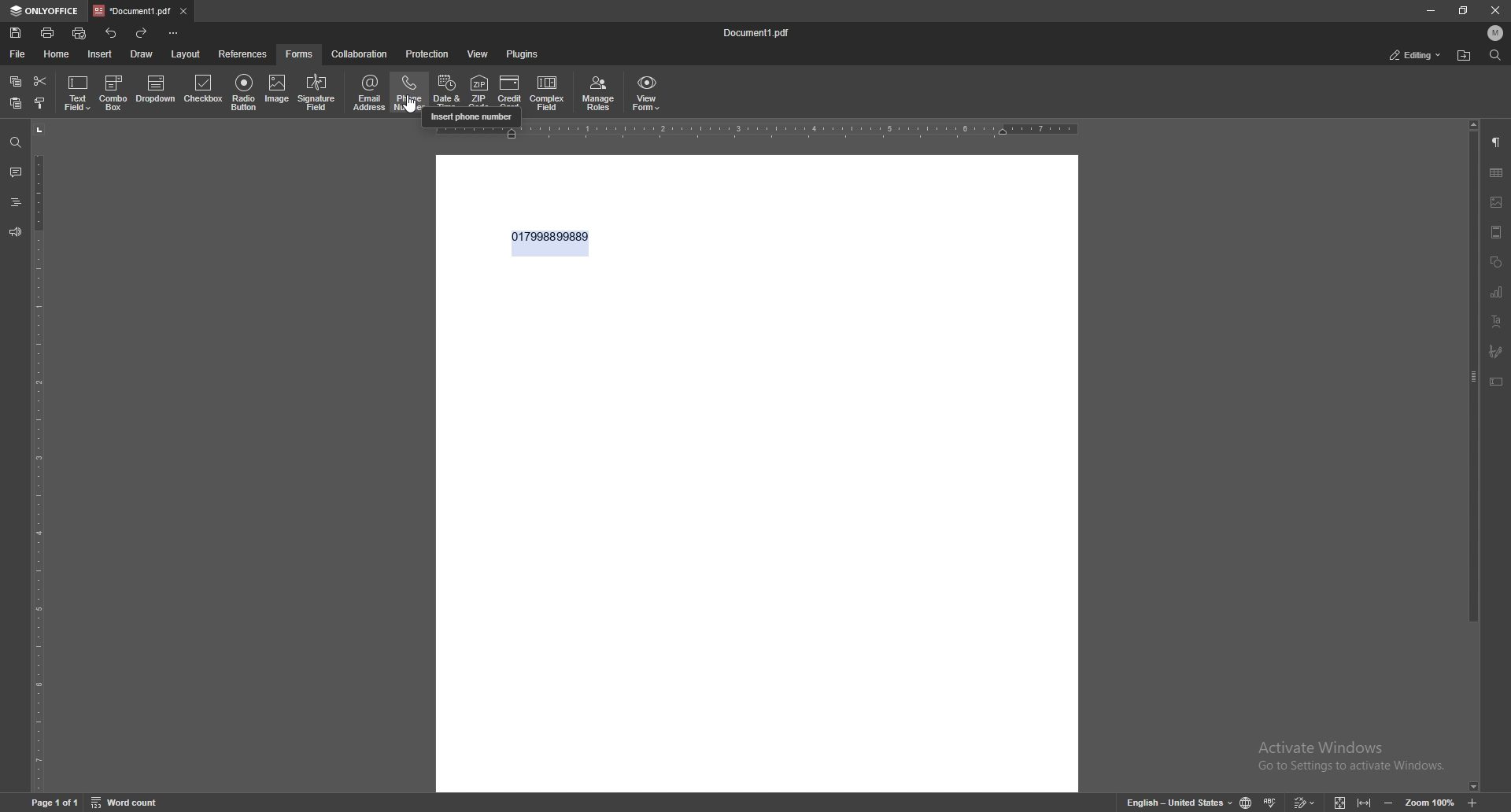 The width and height of the screenshot is (1511, 812). Describe the element at coordinates (58, 54) in the screenshot. I see `home` at that location.